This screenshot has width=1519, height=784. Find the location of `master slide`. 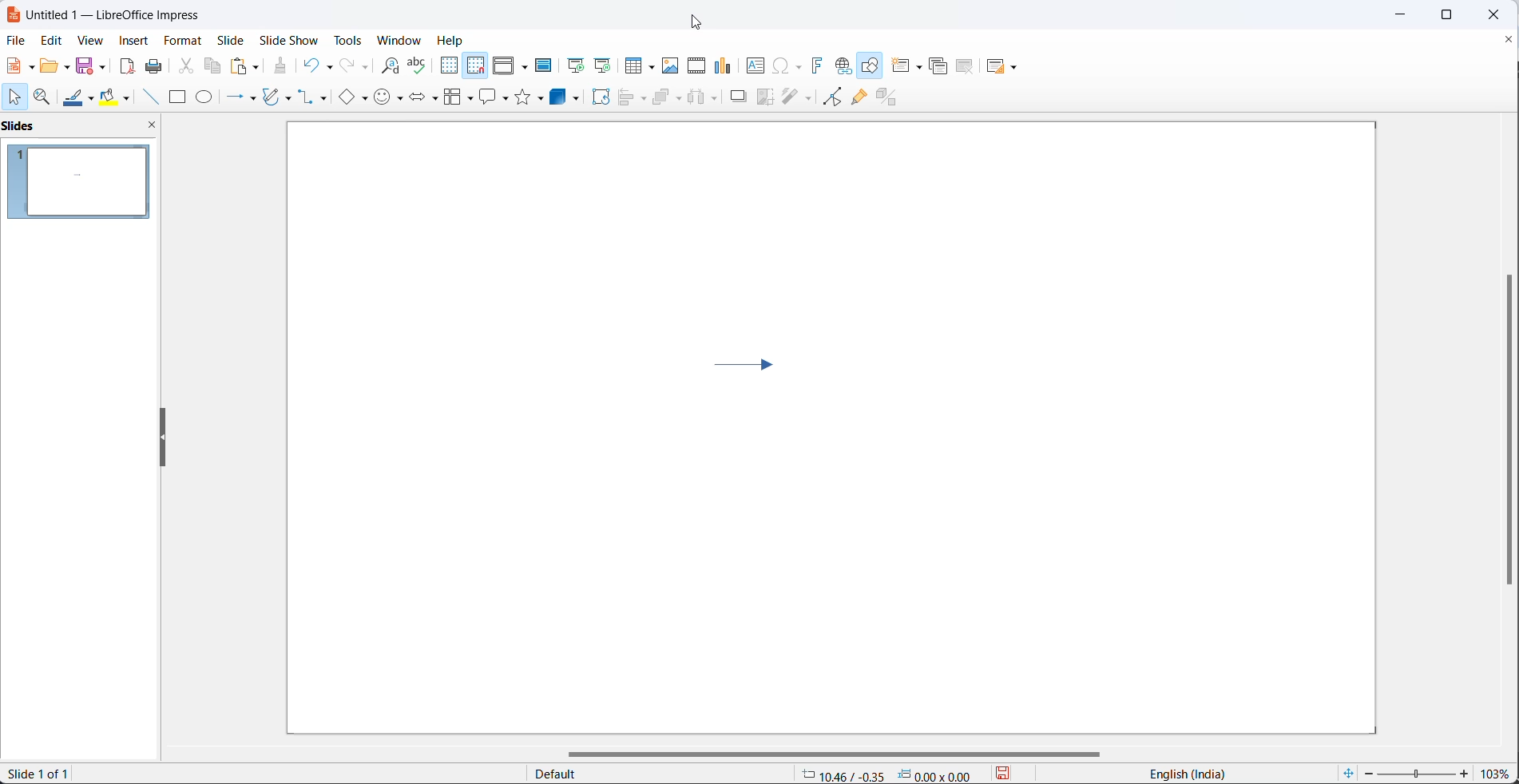

master slide is located at coordinates (545, 66).